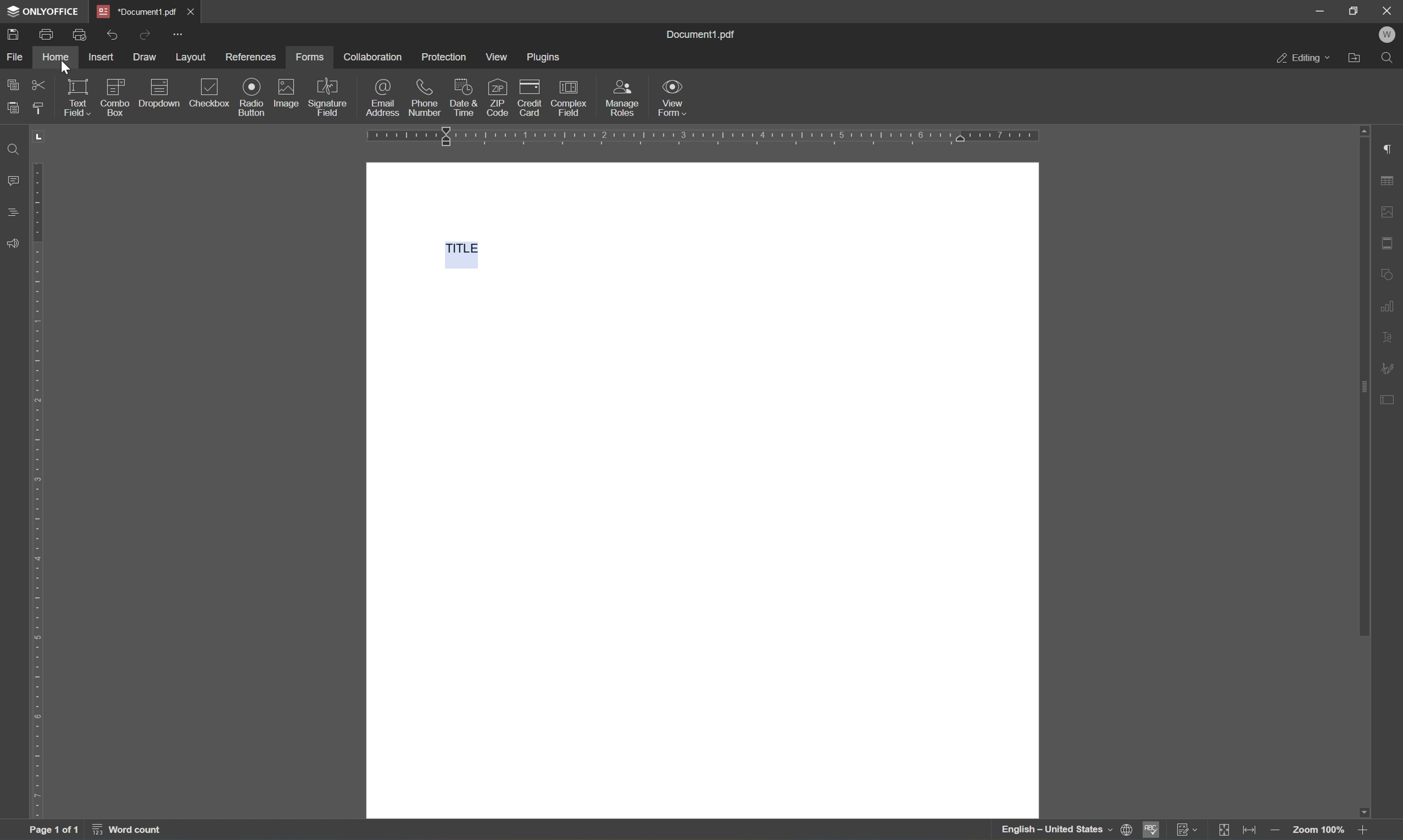 The image size is (1403, 840). I want to click on undo, so click(113, 36).